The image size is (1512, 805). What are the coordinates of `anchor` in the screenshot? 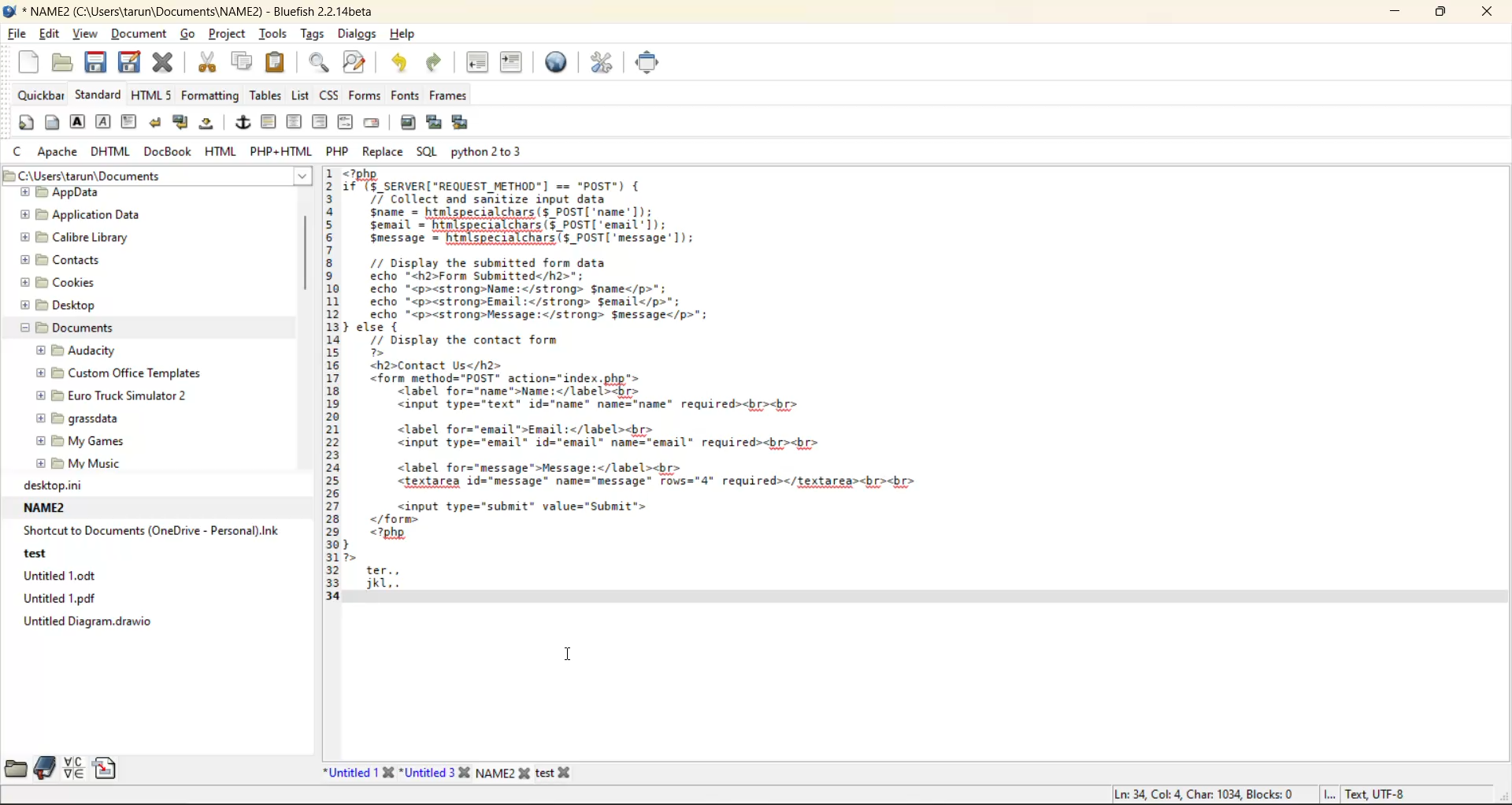 It's located at (245, 124).